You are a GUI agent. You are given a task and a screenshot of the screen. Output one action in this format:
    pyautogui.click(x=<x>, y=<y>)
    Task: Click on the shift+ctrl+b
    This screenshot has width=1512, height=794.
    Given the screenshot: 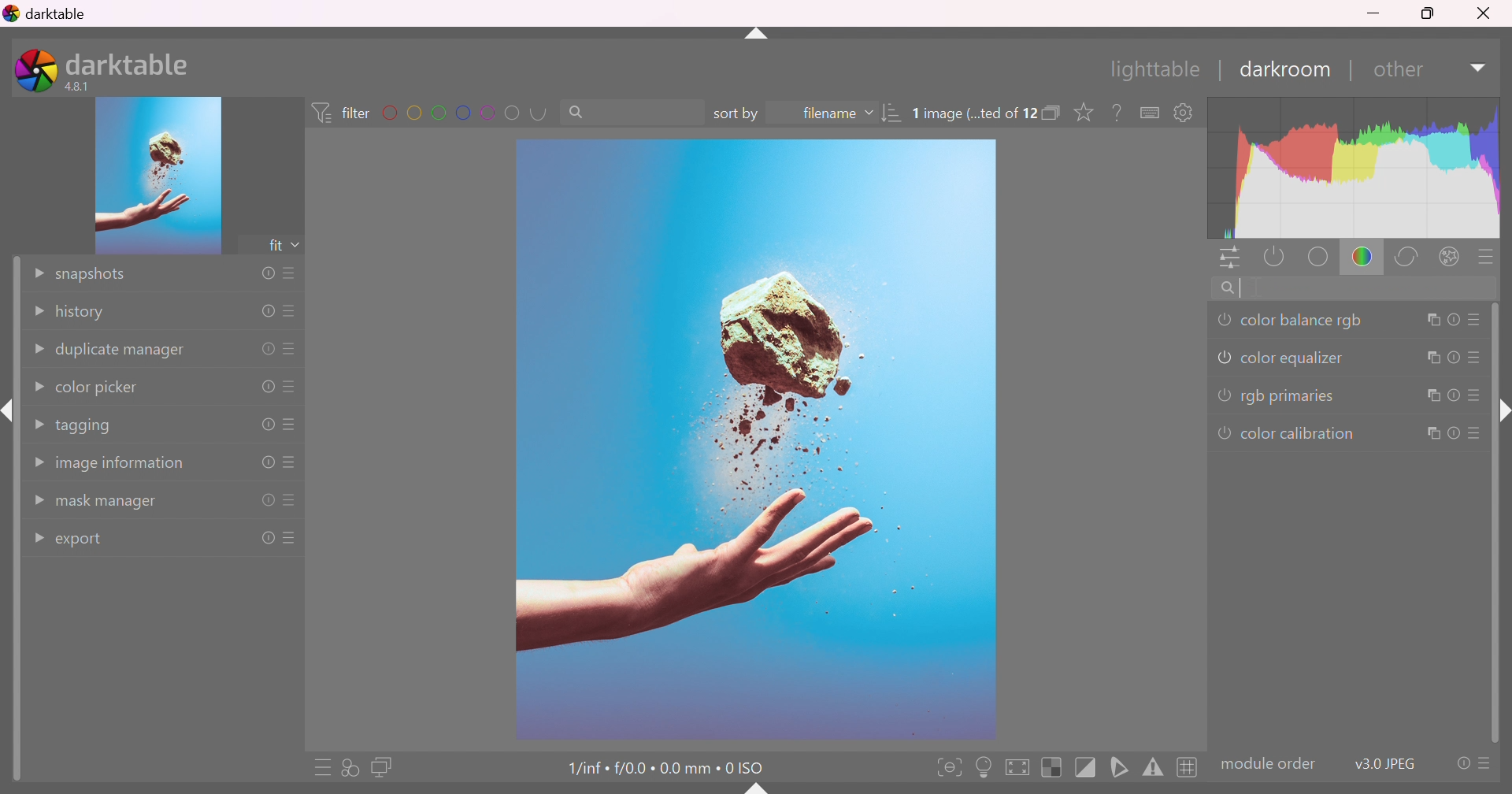 What is the action you would take?
    pyautogui.click(x=755, y=788)
    